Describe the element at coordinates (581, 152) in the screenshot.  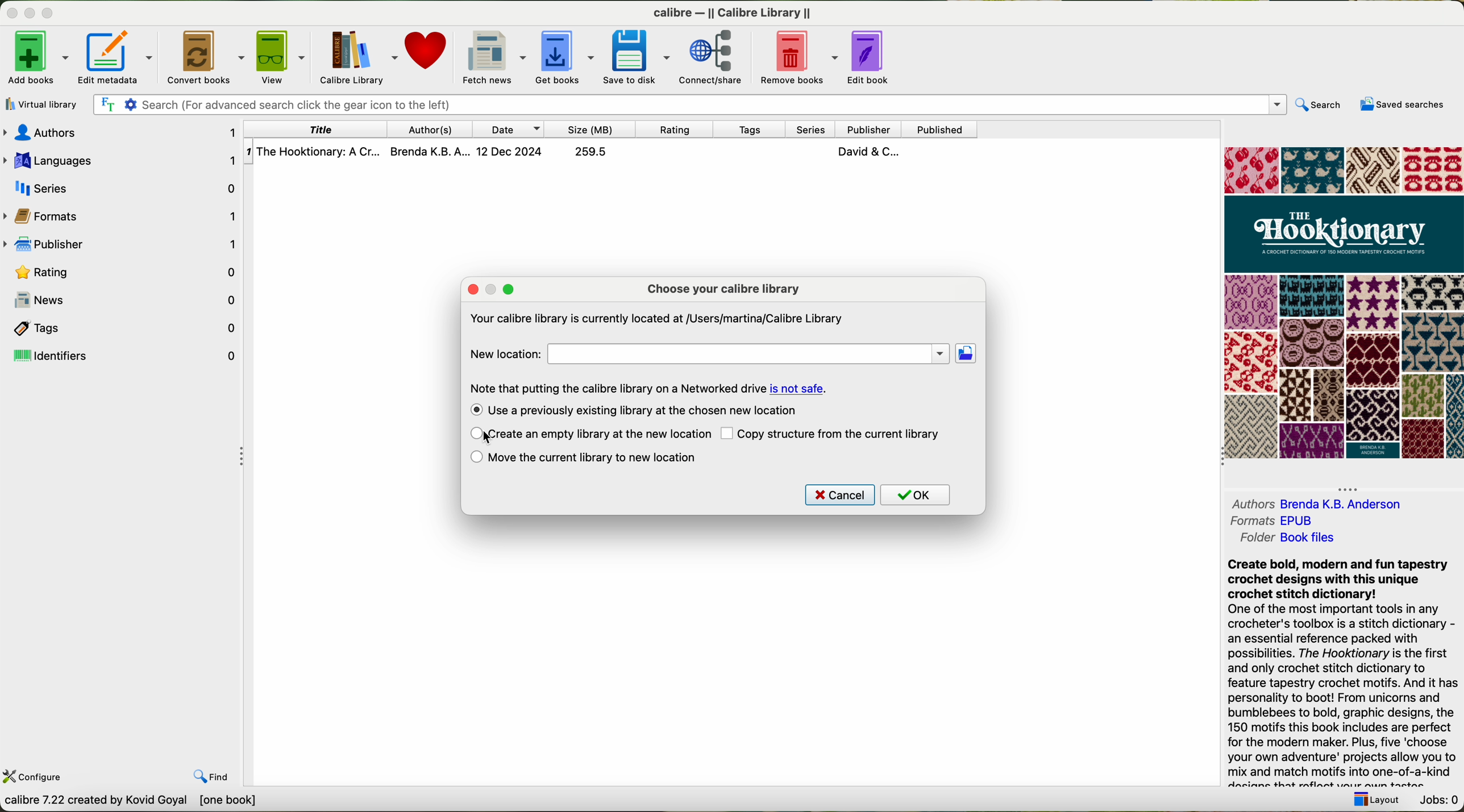
I see `the hooktionary A CR.....Brenda K.B.A.....12 dec 2024 ` at that location.